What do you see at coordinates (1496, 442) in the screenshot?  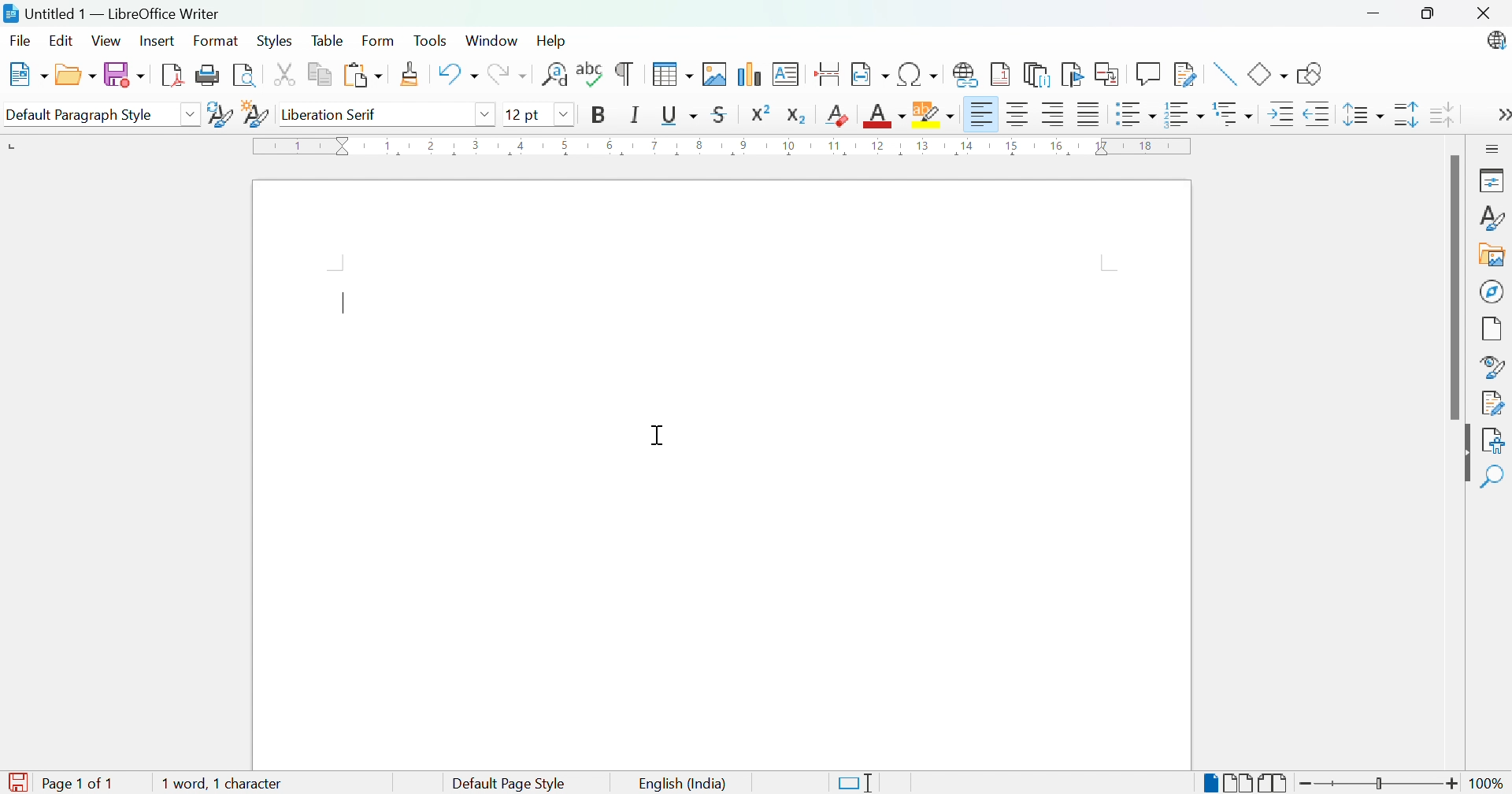 I see `Accessibility check` at bounding box center [1496, 442].